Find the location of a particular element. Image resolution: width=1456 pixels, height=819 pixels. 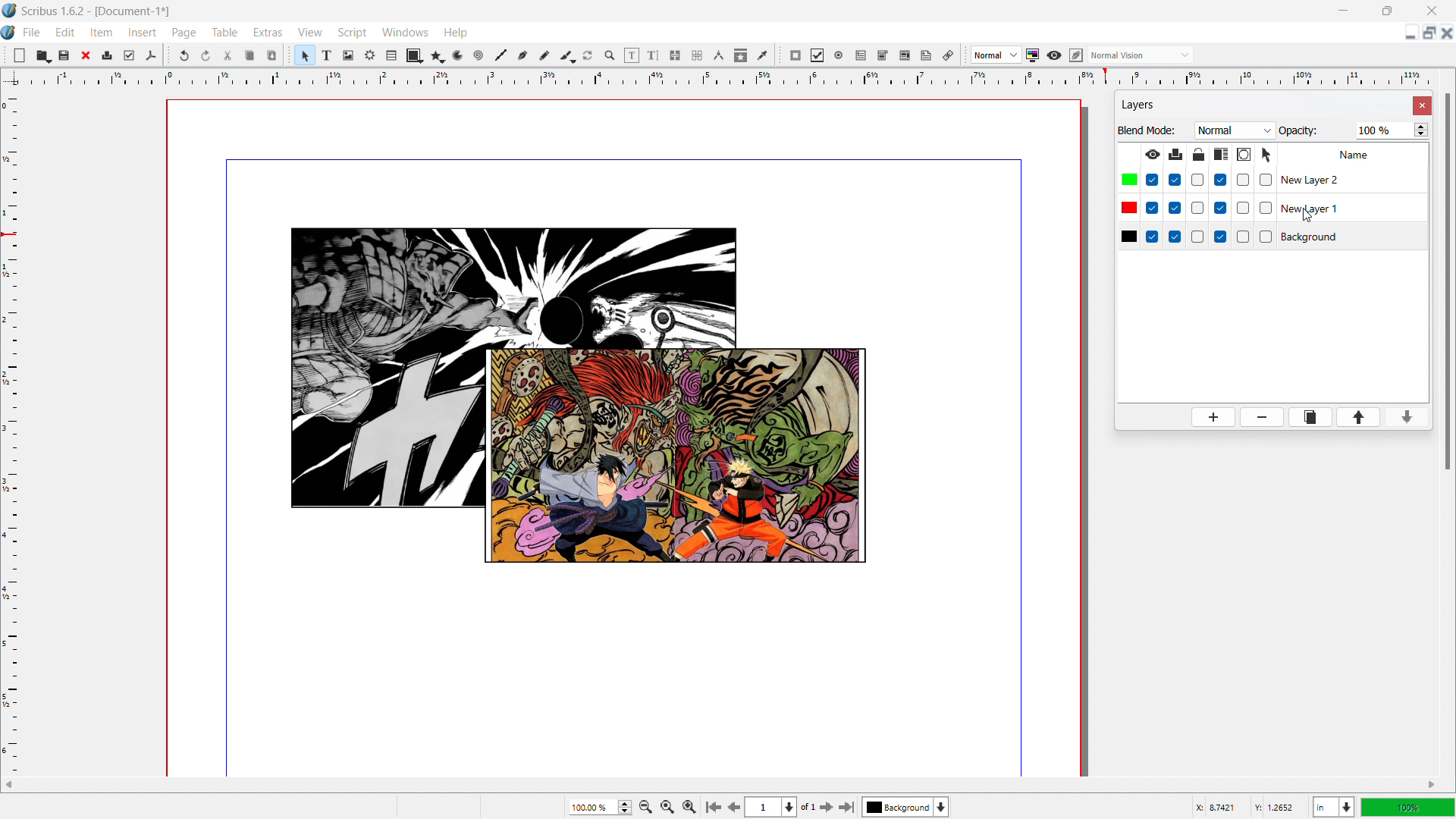

eye dropper is located at coordinates (762, 56).